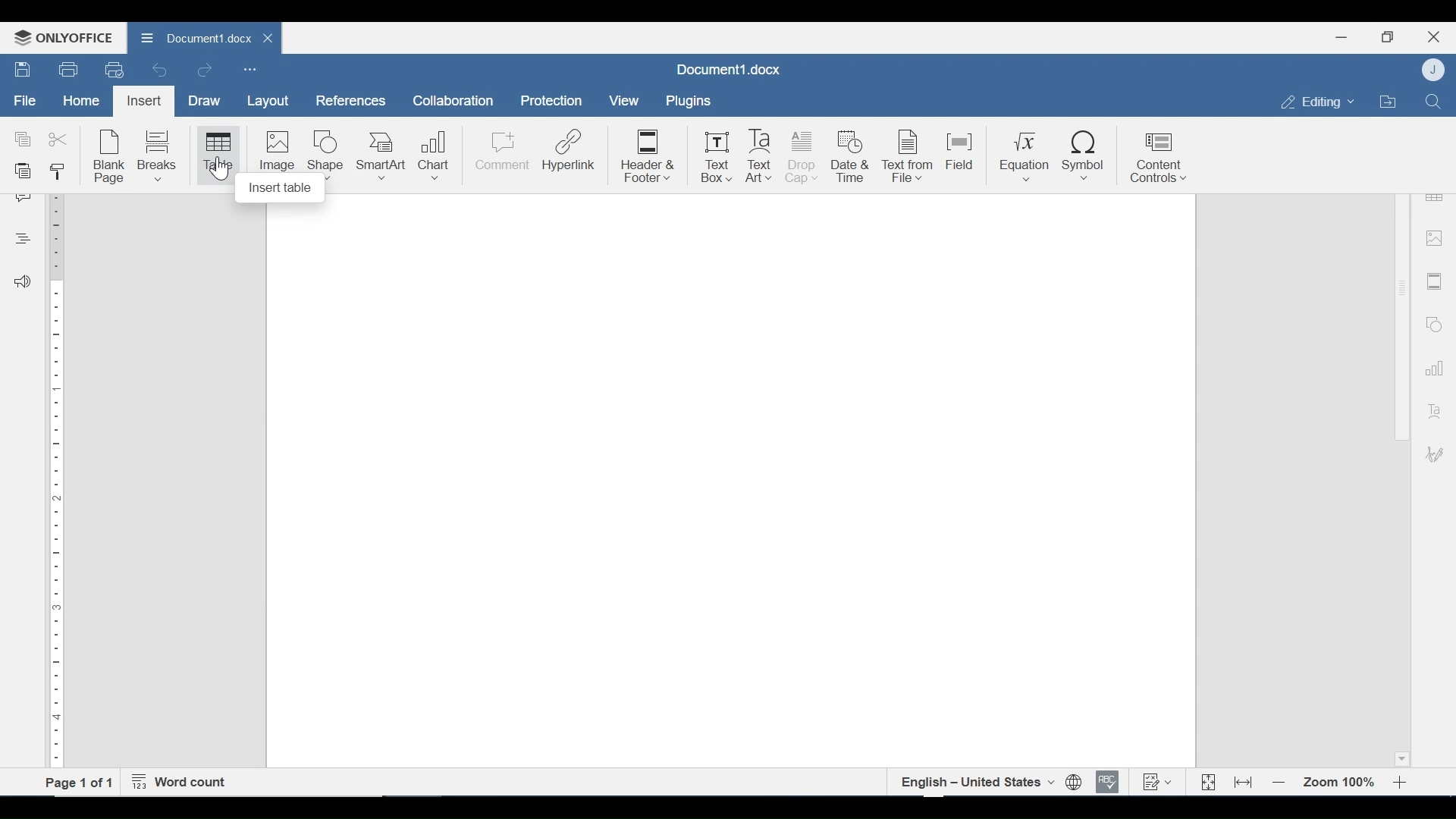 The image size is (1456, 819). Describe the element at coordinates (80, 782) in the screenshot. I see `Page 1 of 1` at that location.